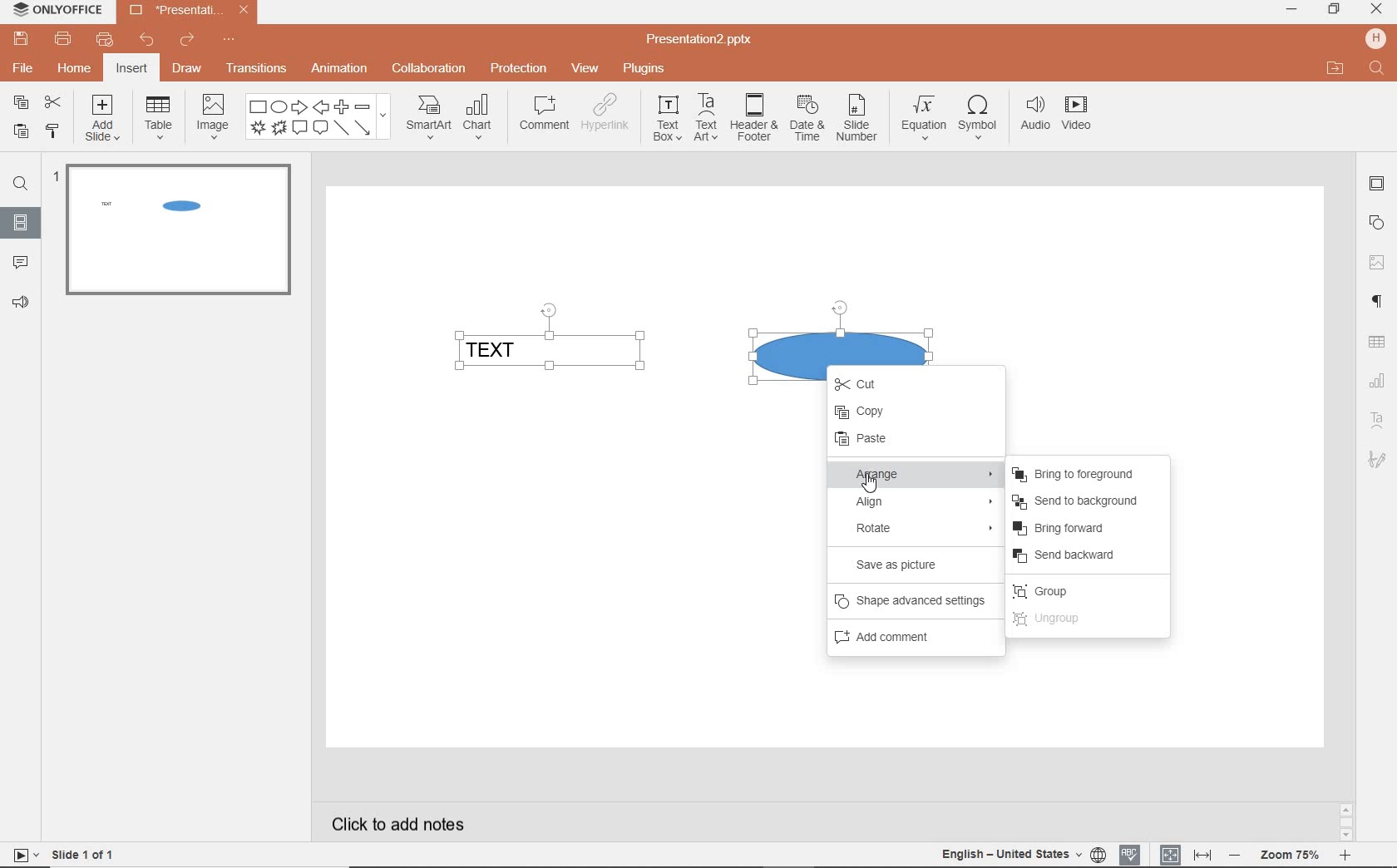 This screenshot has height=868, width=1397. I want to click on TABLE SETTINGS, so click(1377, 343).